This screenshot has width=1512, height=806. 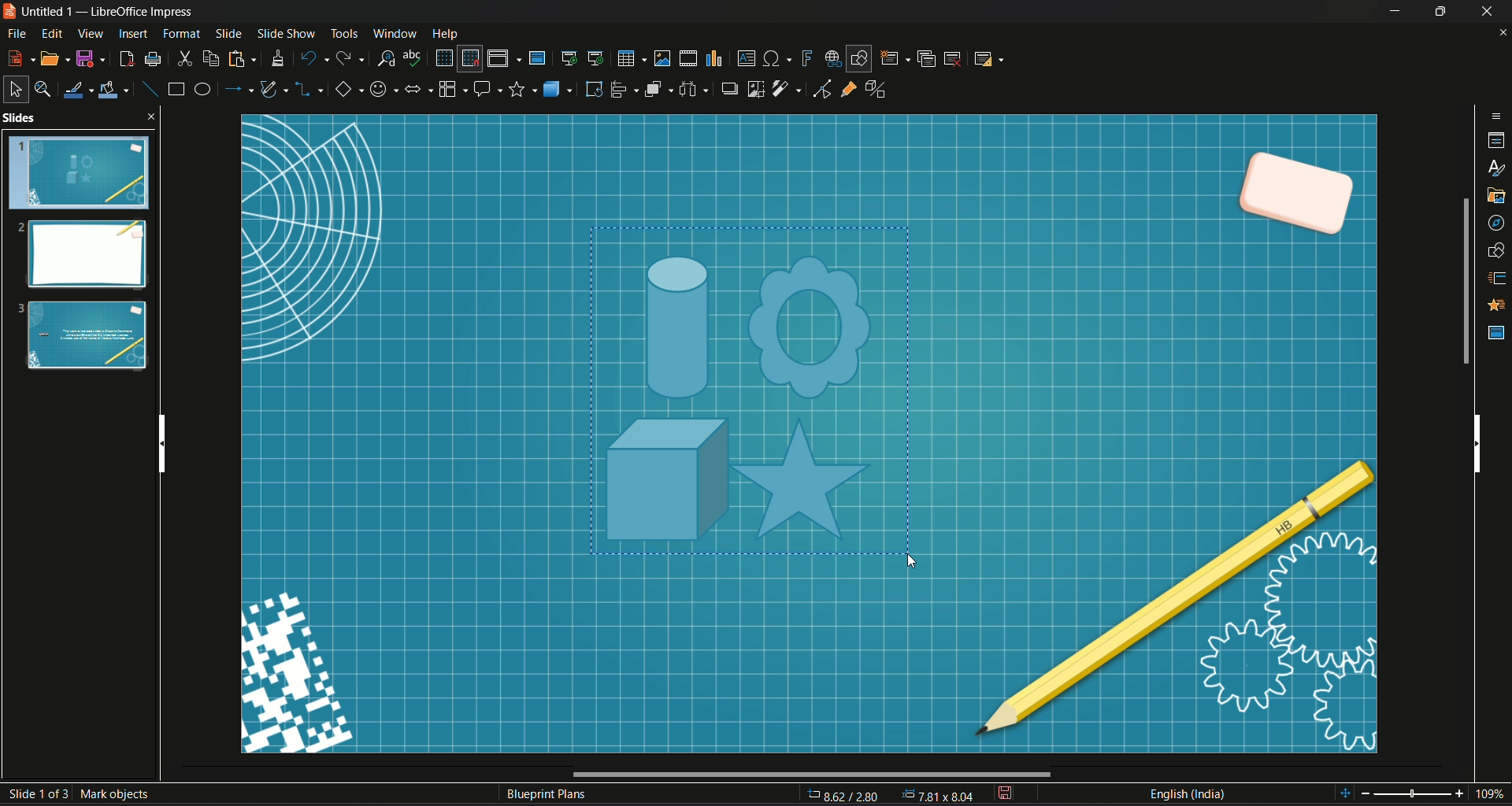 I want to click on delete slide, so click(x=953, y=58).